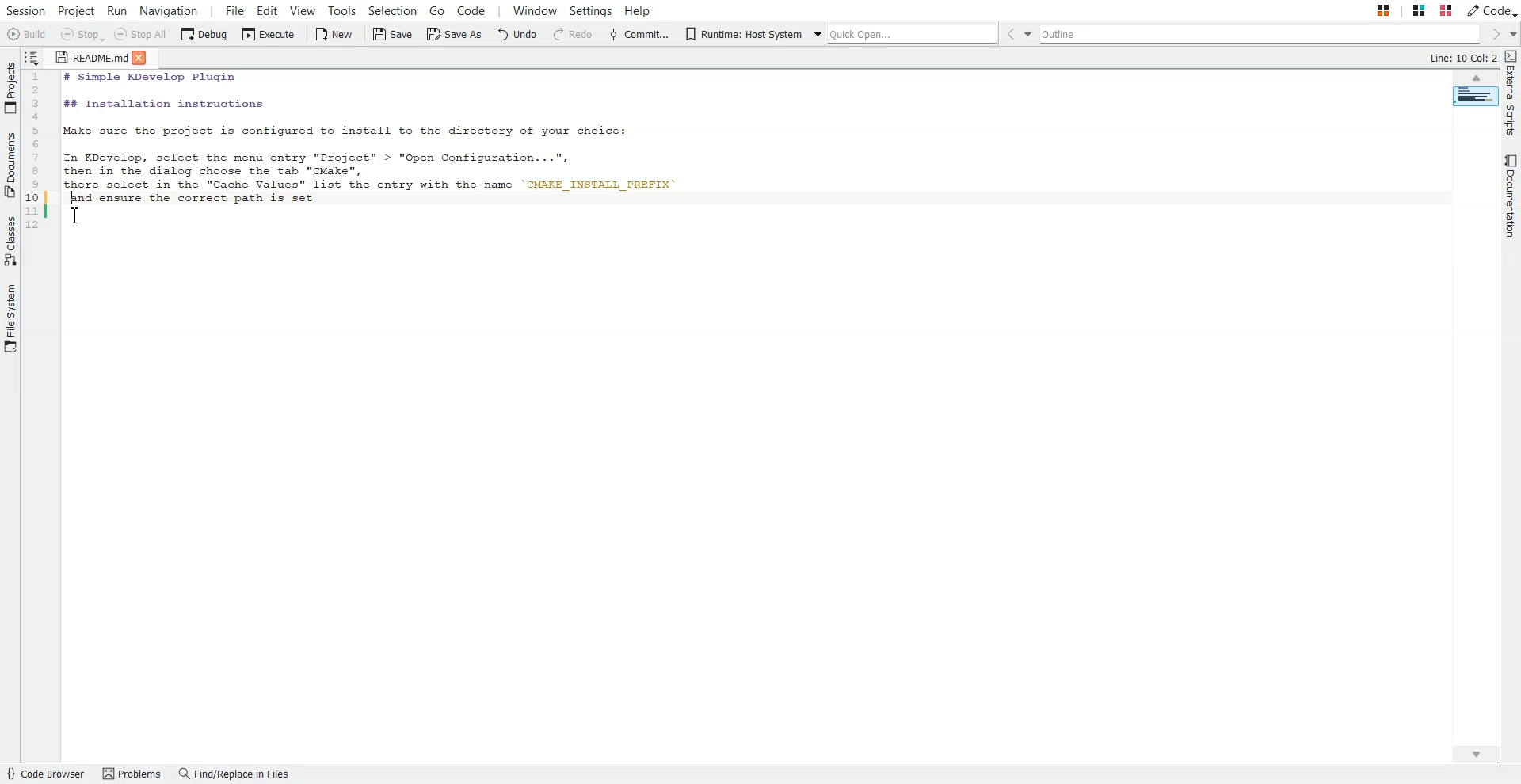 The width and height of the screenshot is (1521, 784). Describe the element at coordinates (235, 774) in the screenshot. I see `Find/Replace in Files` at that location.